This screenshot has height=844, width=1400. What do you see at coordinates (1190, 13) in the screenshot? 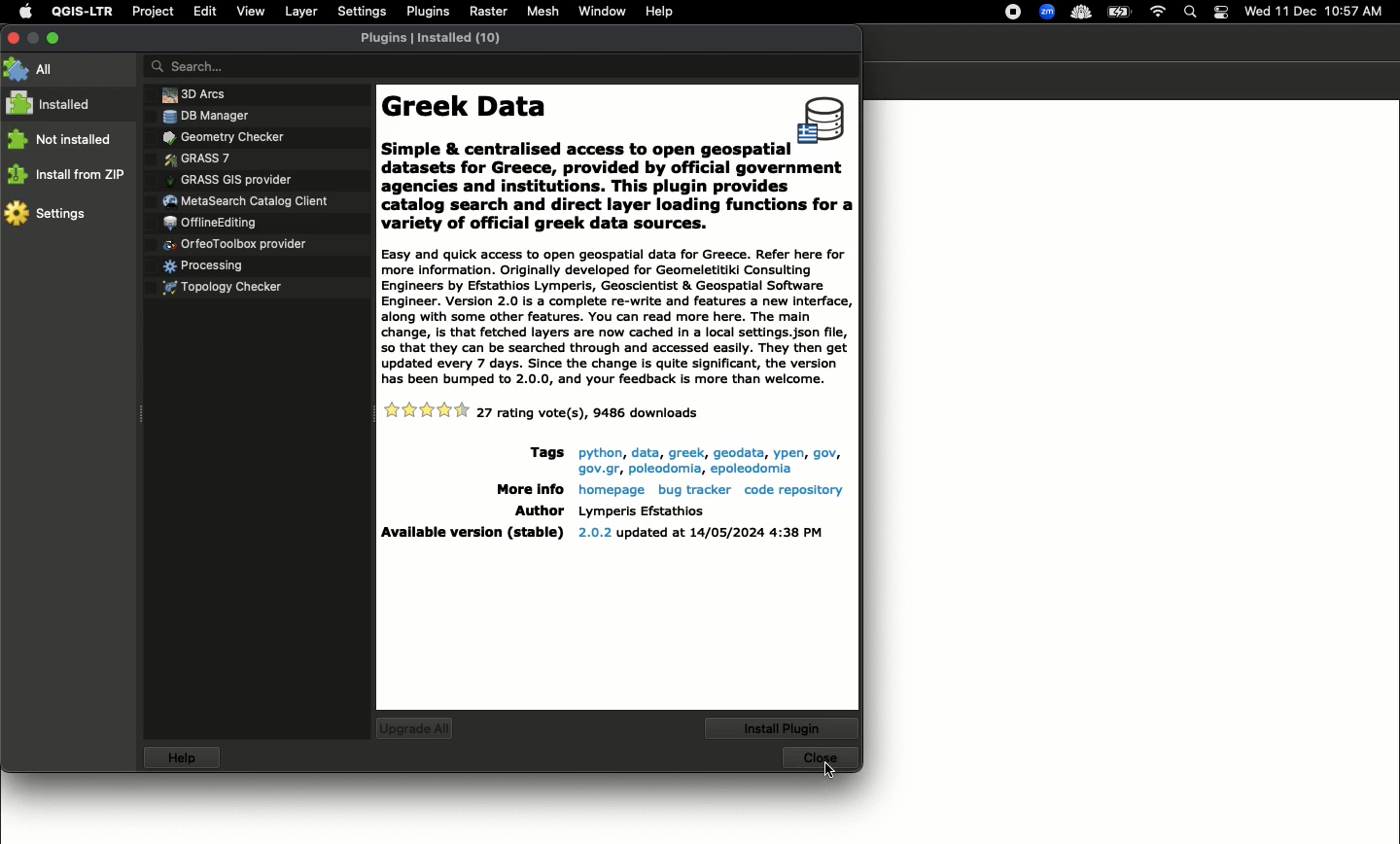
I see `Search` at bounding box center [1190, 13].